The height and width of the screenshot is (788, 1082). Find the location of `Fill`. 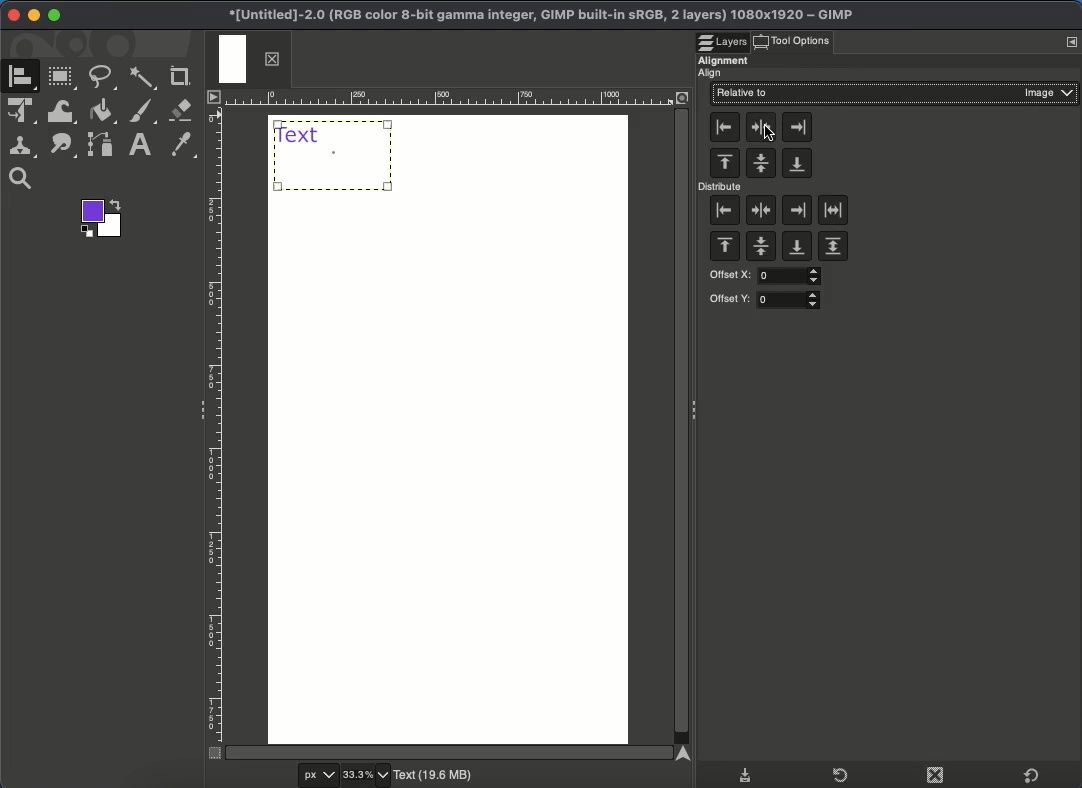

Fill is located at coordinates (101, 112).